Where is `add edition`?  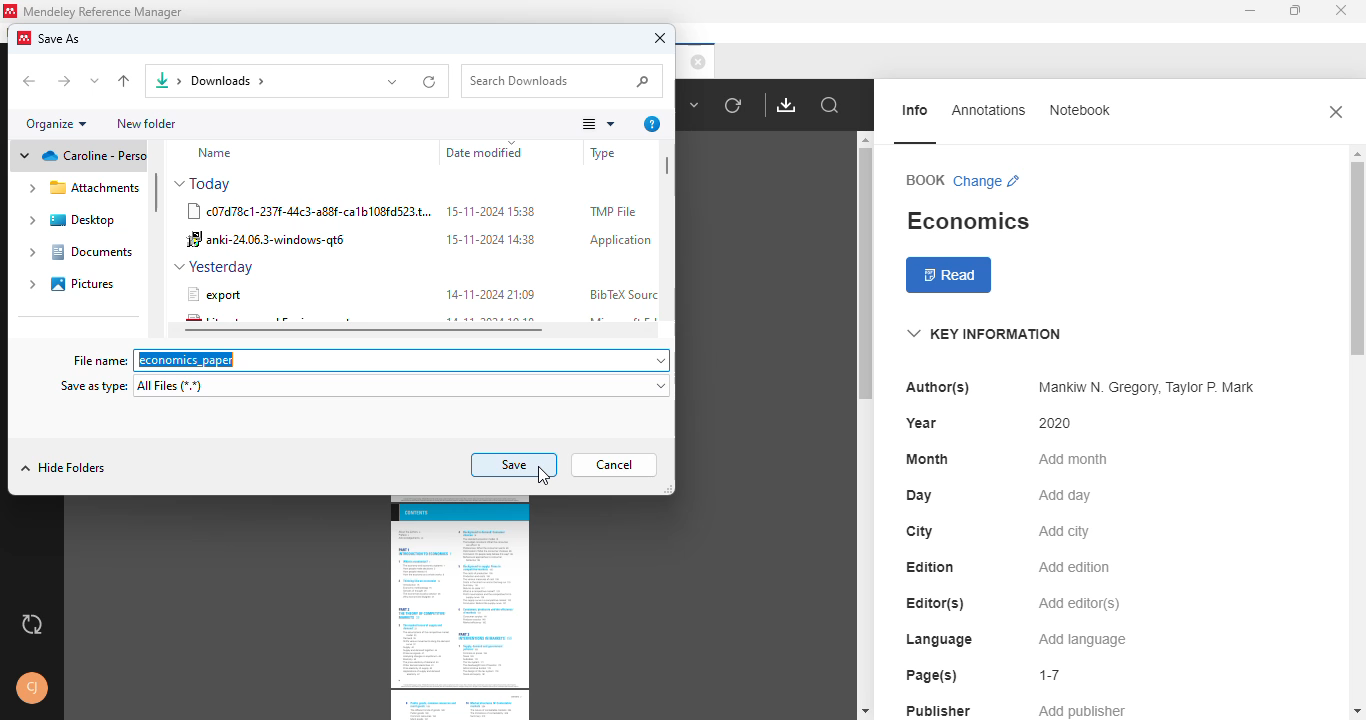
add edition is located at coordinates (1075, 567).